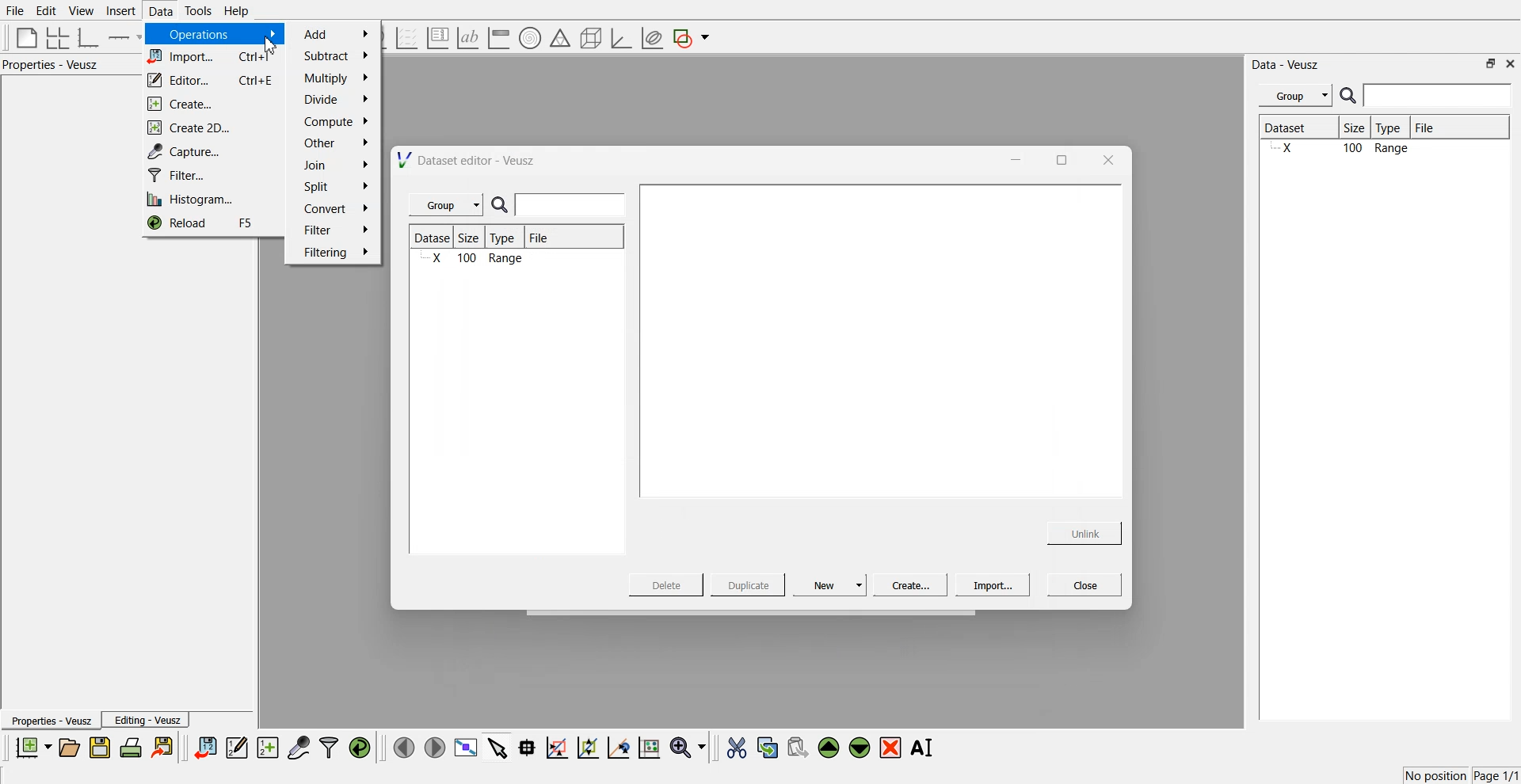 Image resolution: width=1521 pixels, height=784 pixels. I want to click on maximise, so click(1057, 158).